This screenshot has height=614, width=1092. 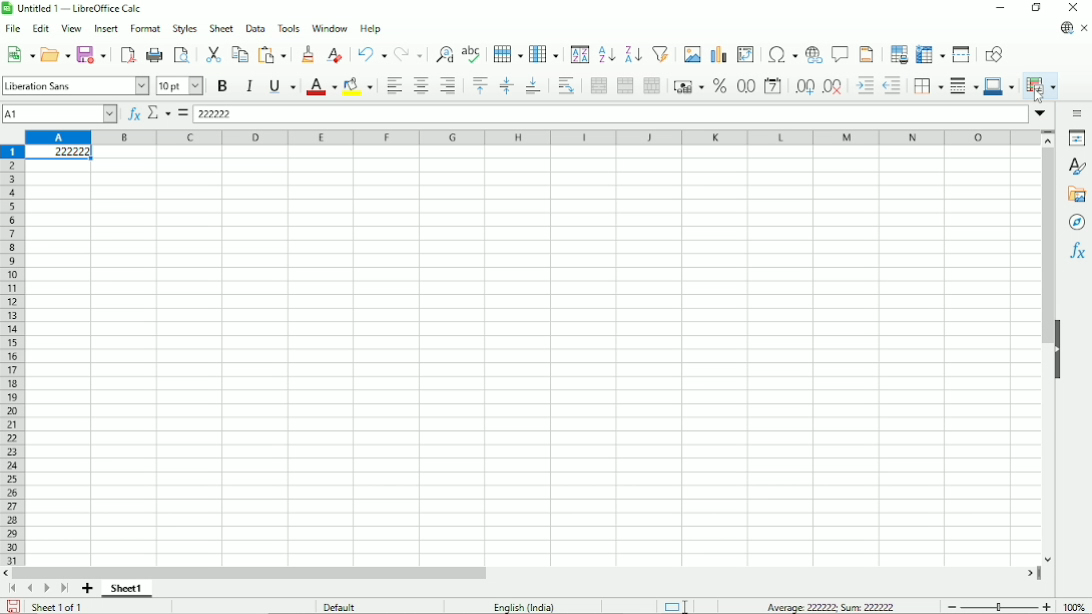 What do you see at coordinates (1079, 167) in the screenshot?
I see `Styles` at bounding box center [1079, 167].